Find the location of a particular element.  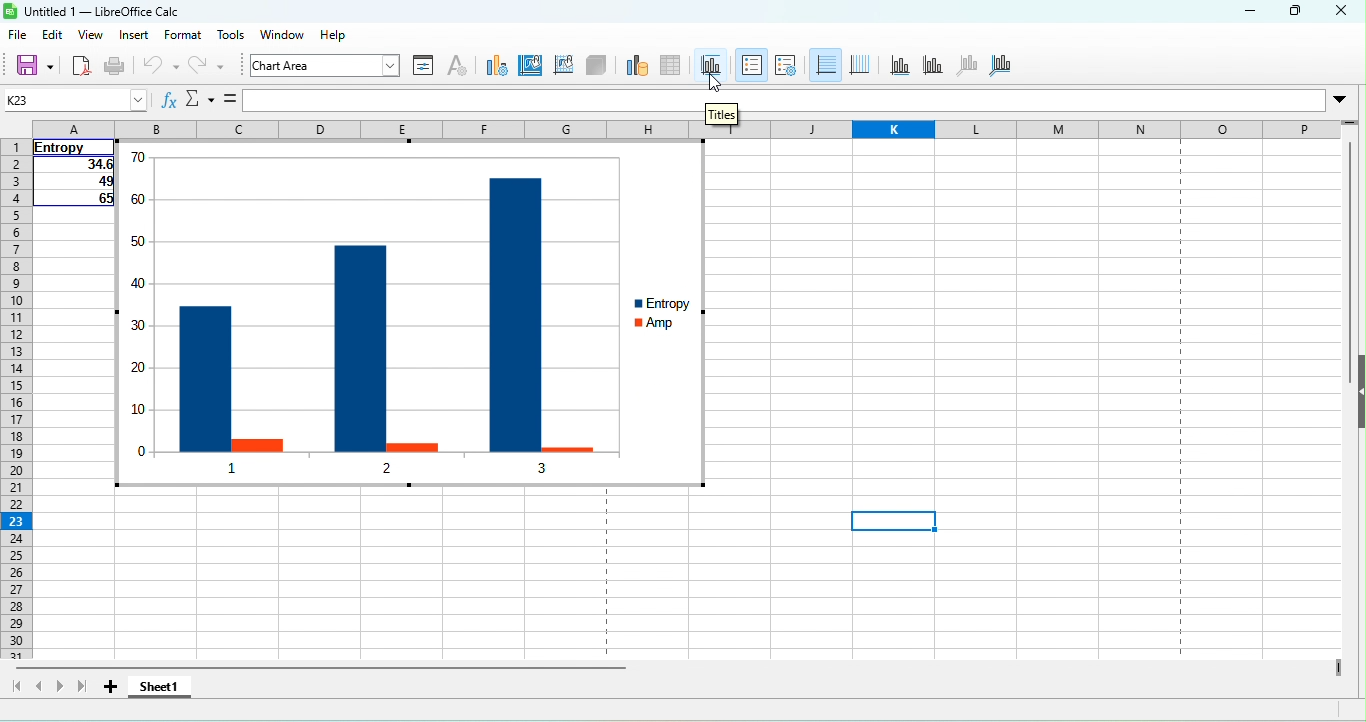

insert is located at coordinates (137, 37).